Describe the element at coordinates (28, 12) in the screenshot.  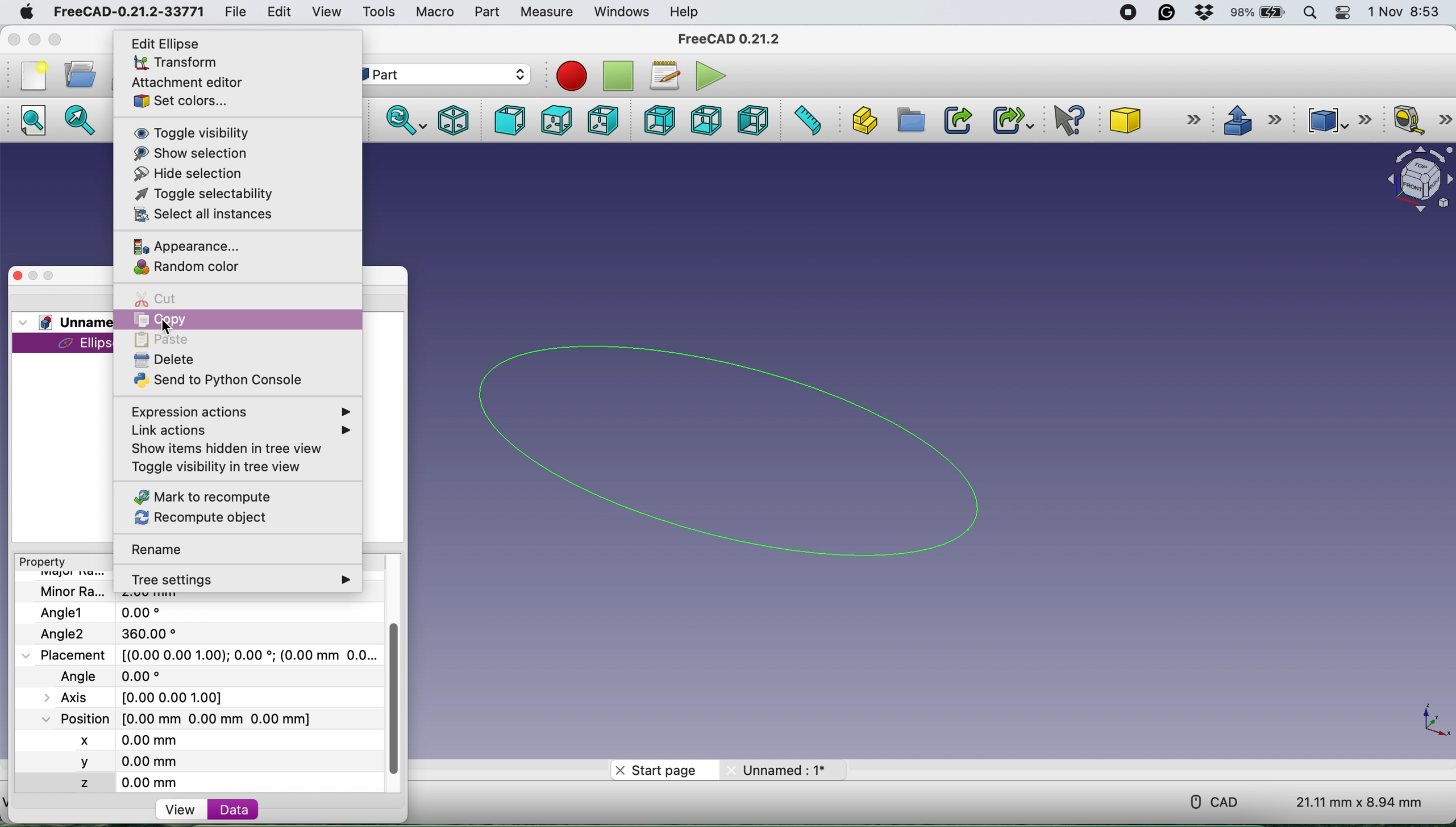
I see `system logo` at that location.